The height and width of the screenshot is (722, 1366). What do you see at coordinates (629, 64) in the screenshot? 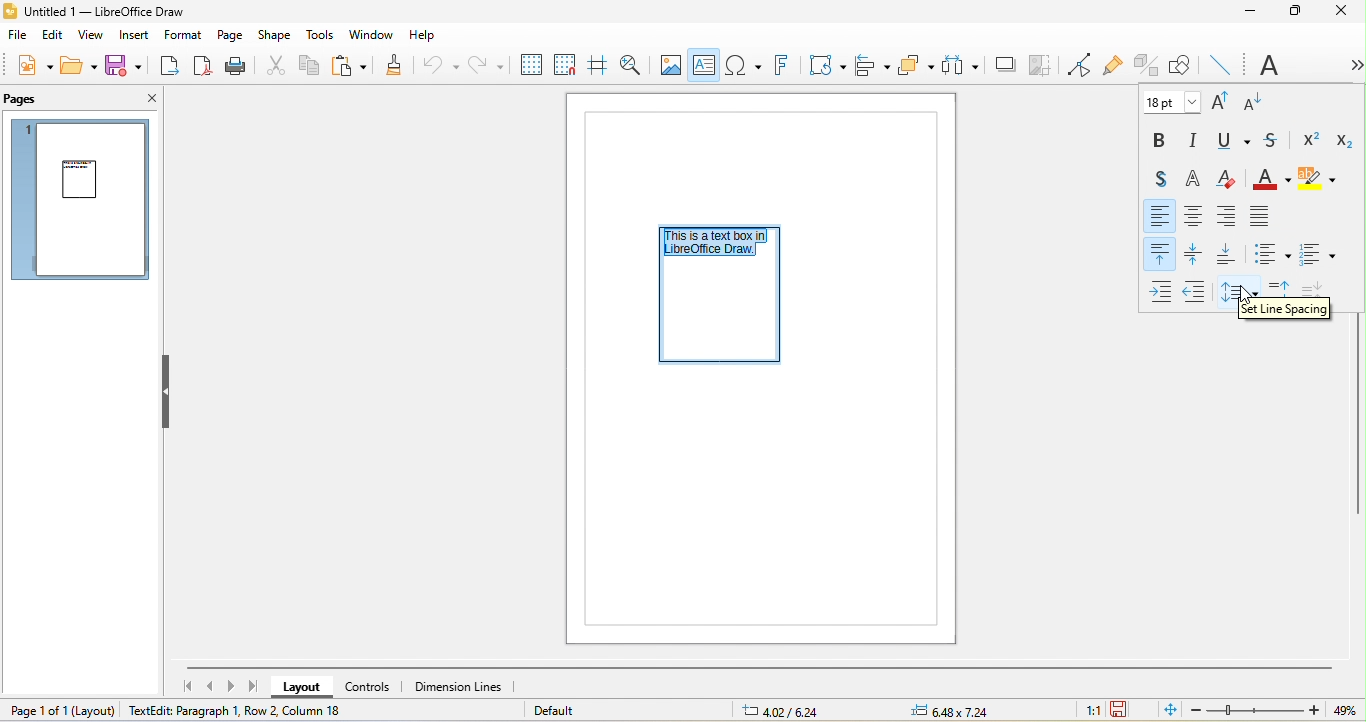
I see `zoom and pan` at bounding box center [629, 64].